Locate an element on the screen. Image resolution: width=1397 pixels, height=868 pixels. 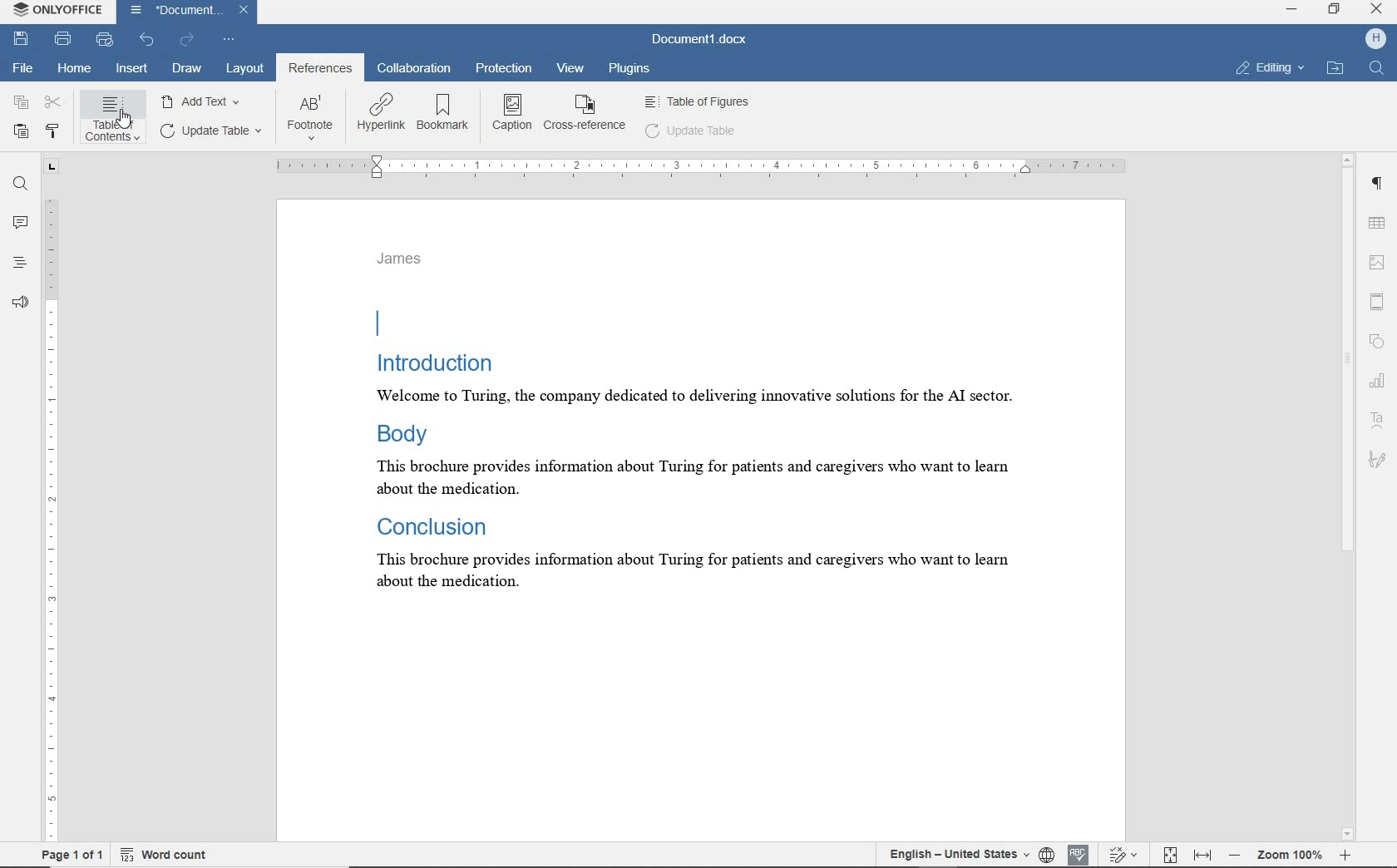
signature is located at coordinates (1378, 460).